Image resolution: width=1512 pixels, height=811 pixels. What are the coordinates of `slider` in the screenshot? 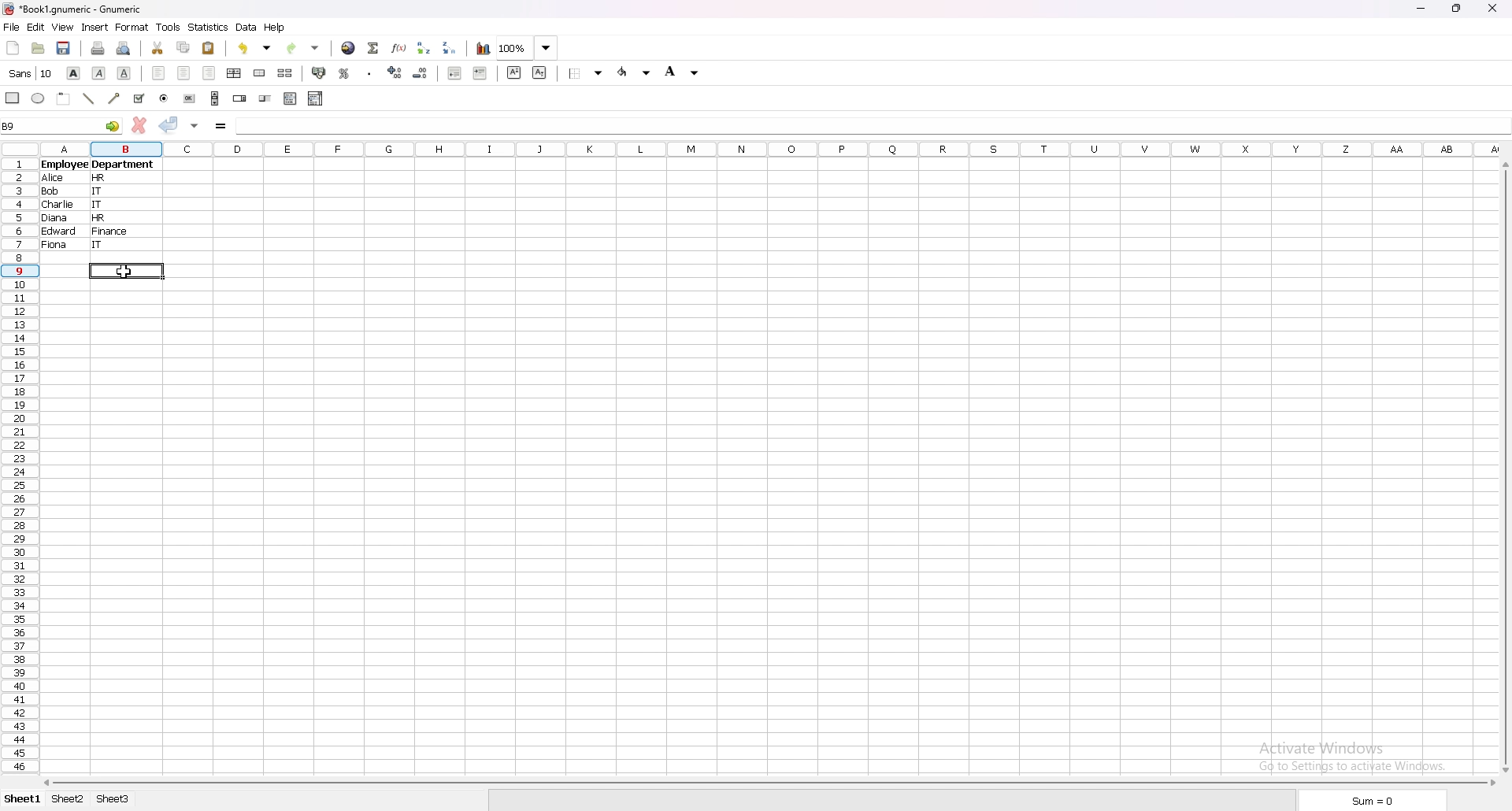 It's located at (266, 99).